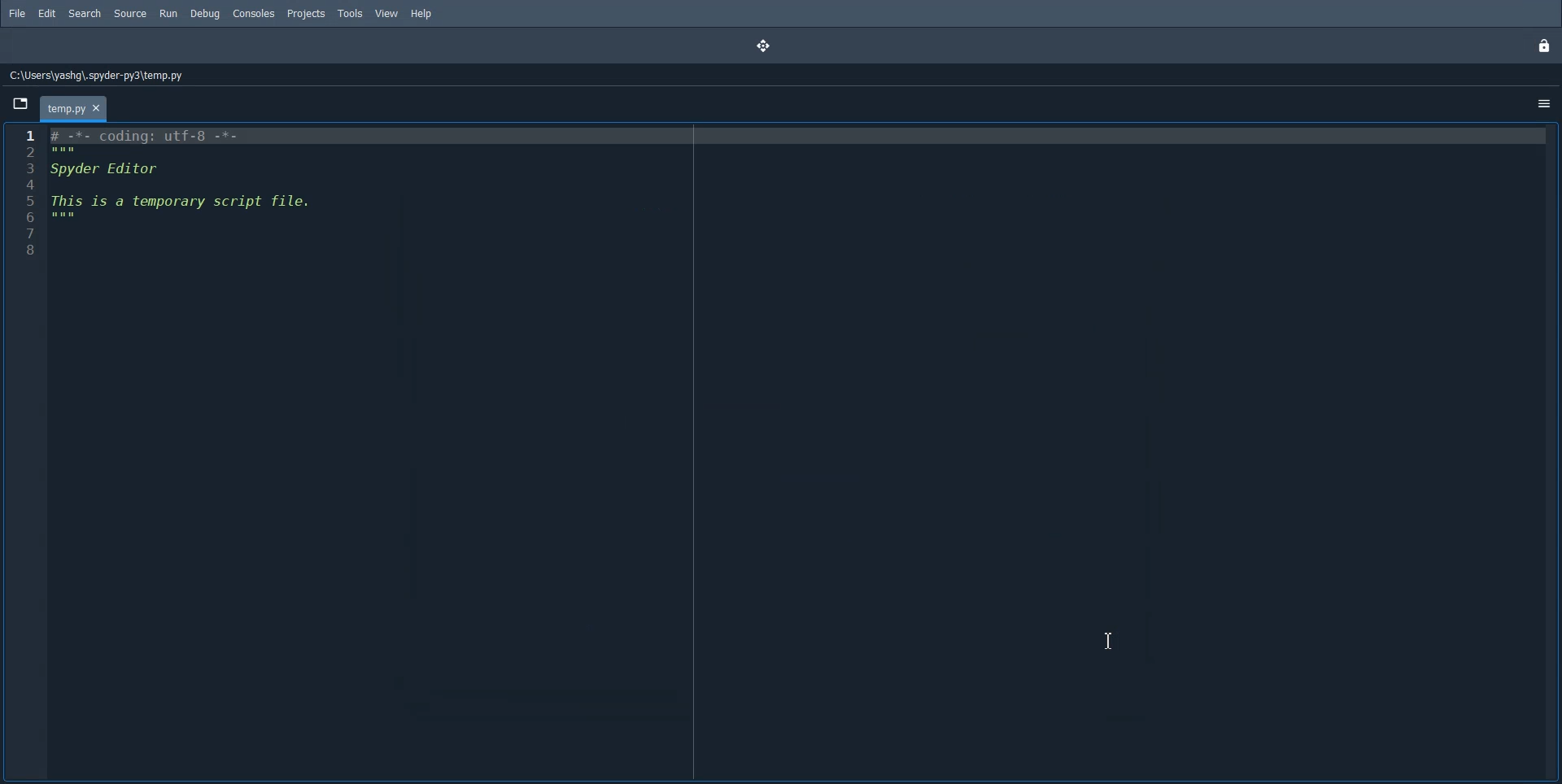 The width and height of the screenshot is (1562, 784). I want to click on View, so click(388, 14).